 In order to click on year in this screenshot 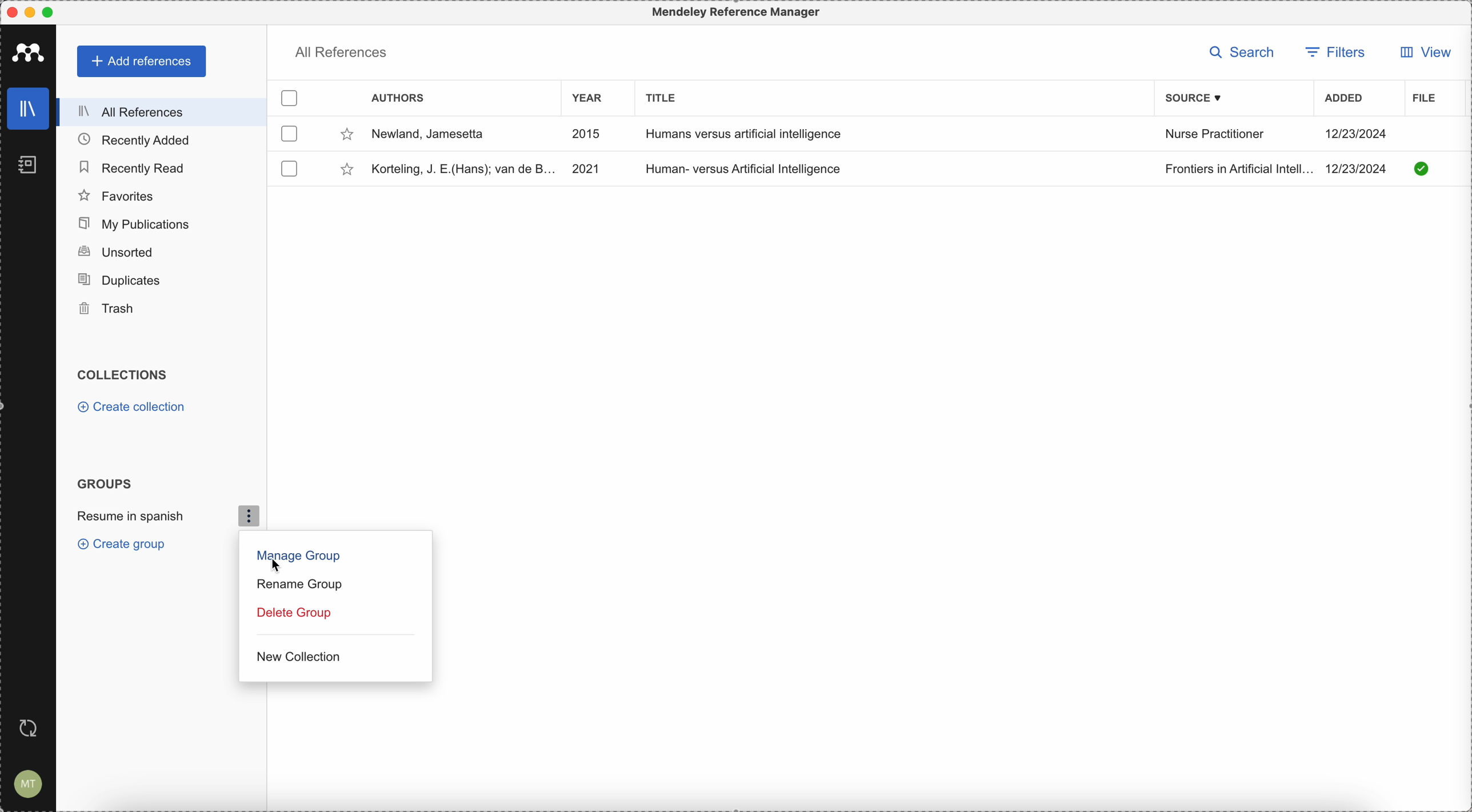, I will do `click(590, 97)`.